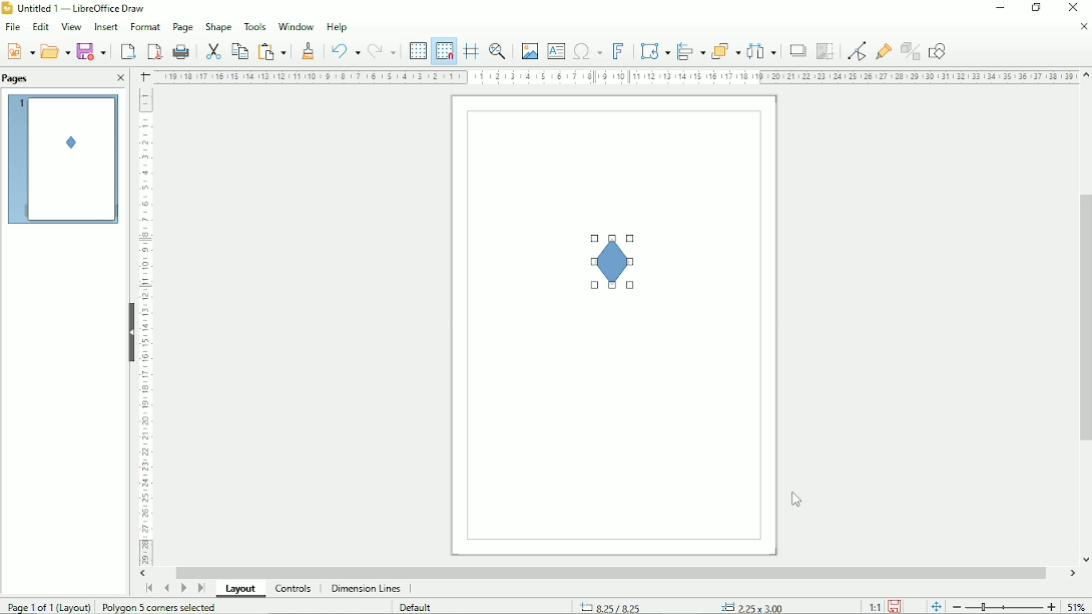  Describe the element at coordinates (182, 27) in the screenshot. I see `Page` at that location.